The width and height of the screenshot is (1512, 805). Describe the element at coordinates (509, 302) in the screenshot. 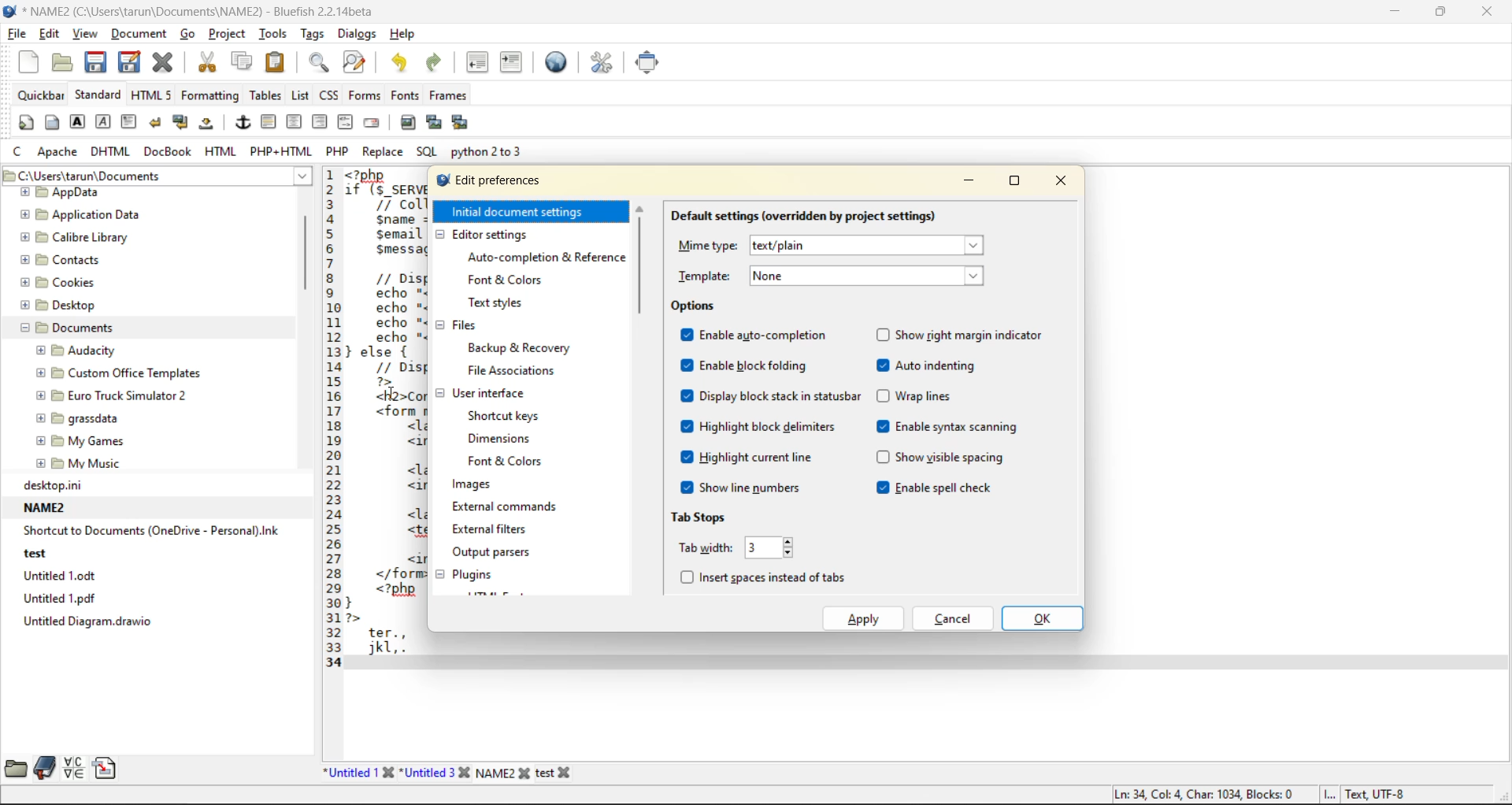

I see `text styles` at that location.